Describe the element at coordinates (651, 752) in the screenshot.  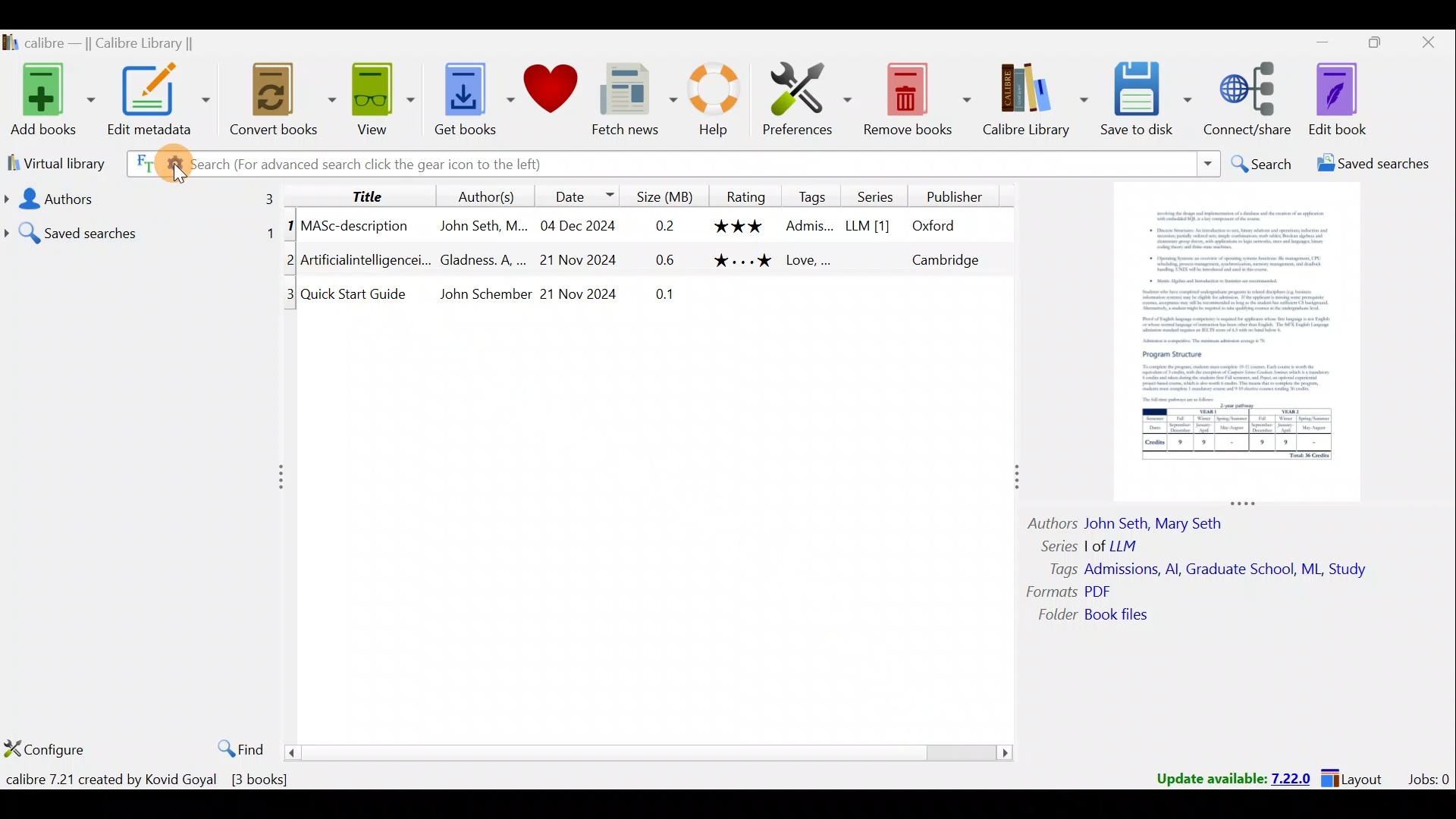
I see `Scroll bar` at that location.